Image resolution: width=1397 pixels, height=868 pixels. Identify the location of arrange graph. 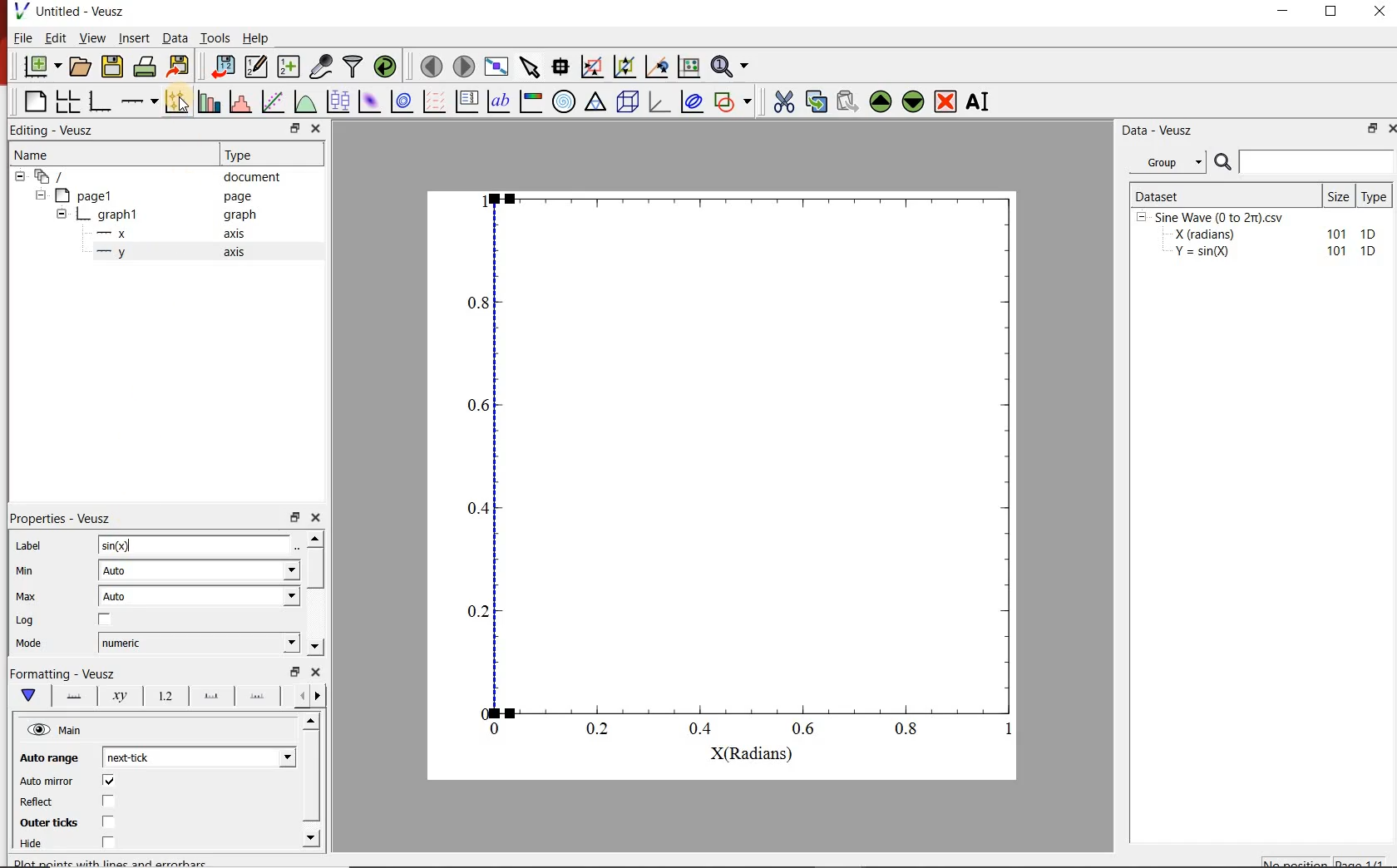
(68, 101).